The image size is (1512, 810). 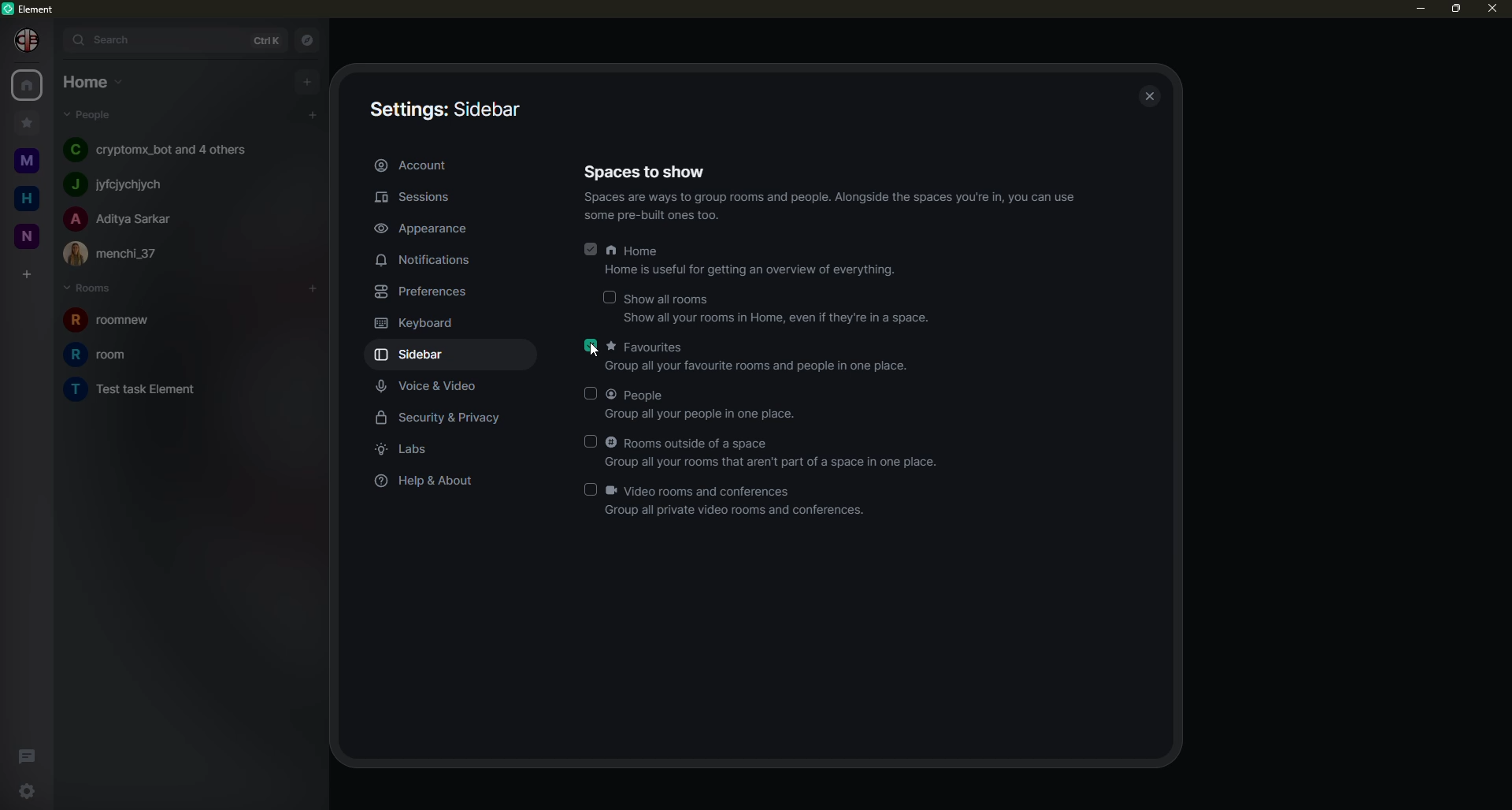 What do you see at coordinates (588, 393) in the screenshot?
I see `click to enable` at bounding box center [588, 393].